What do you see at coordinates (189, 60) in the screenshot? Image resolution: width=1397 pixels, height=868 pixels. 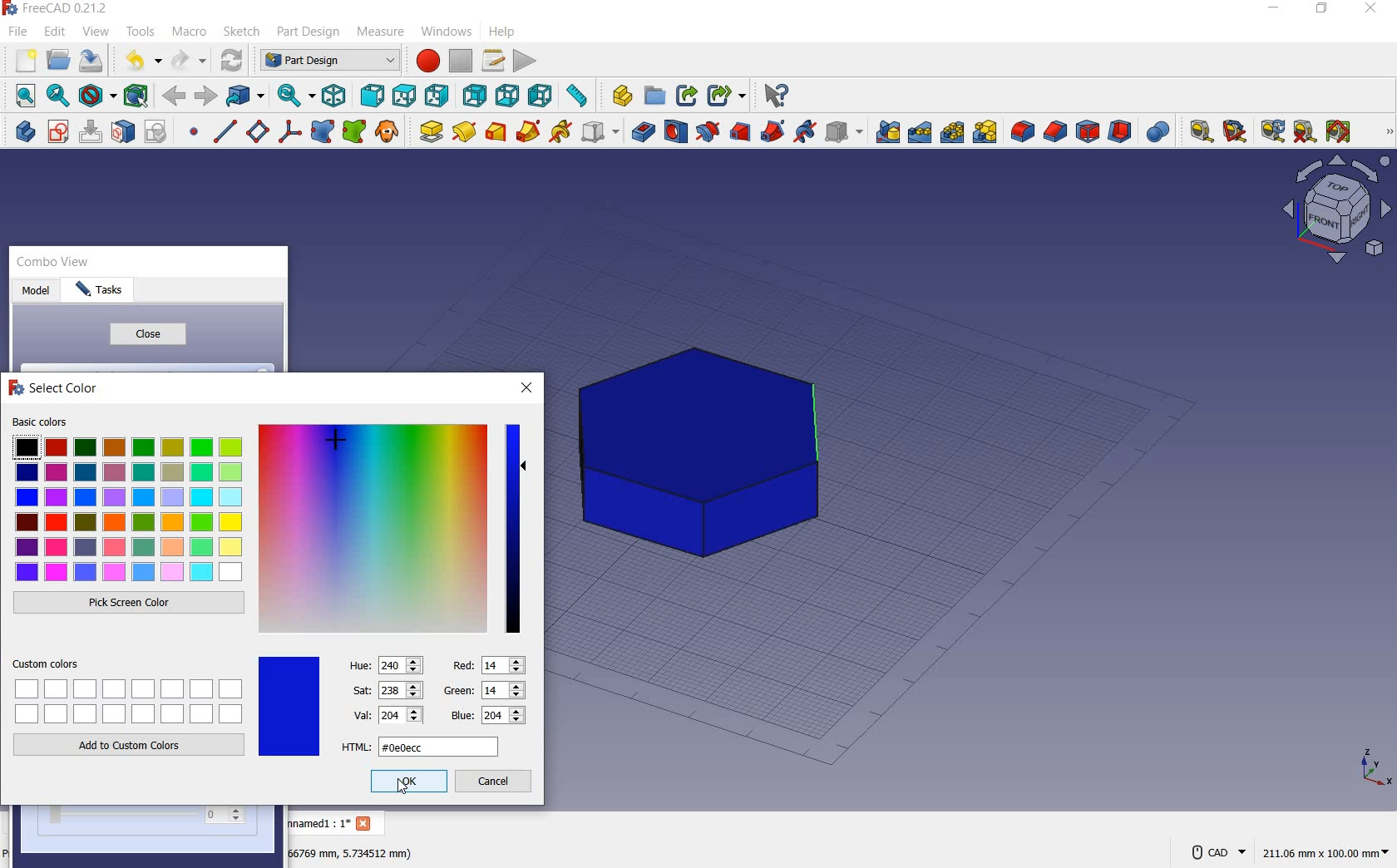 I see `redo` at bounding box center [189, 60].